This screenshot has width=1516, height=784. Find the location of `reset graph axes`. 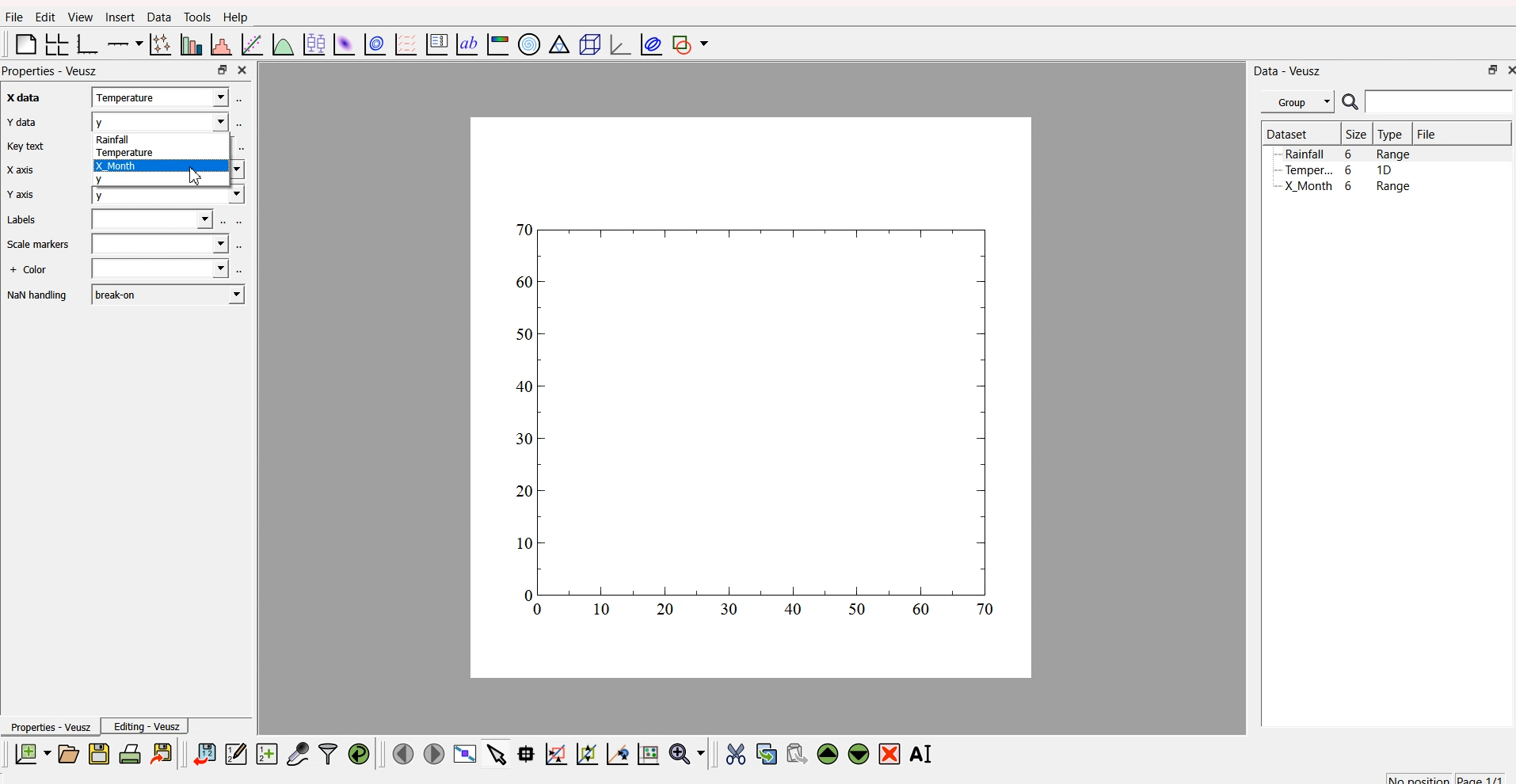

reset graph axes is located at coordinates (651, 752).